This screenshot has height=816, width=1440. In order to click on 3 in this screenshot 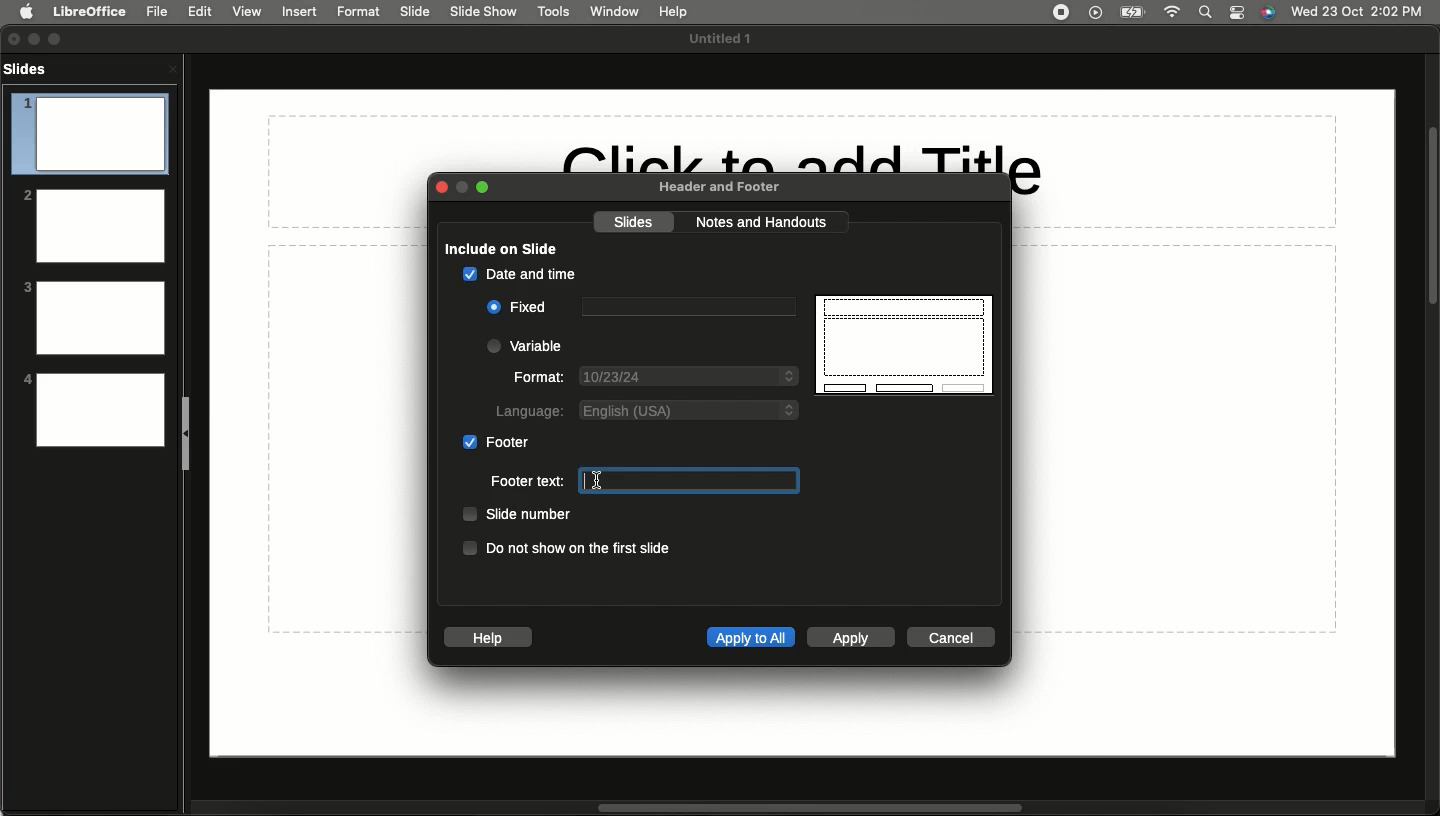, I will do `click(93, 317)`.